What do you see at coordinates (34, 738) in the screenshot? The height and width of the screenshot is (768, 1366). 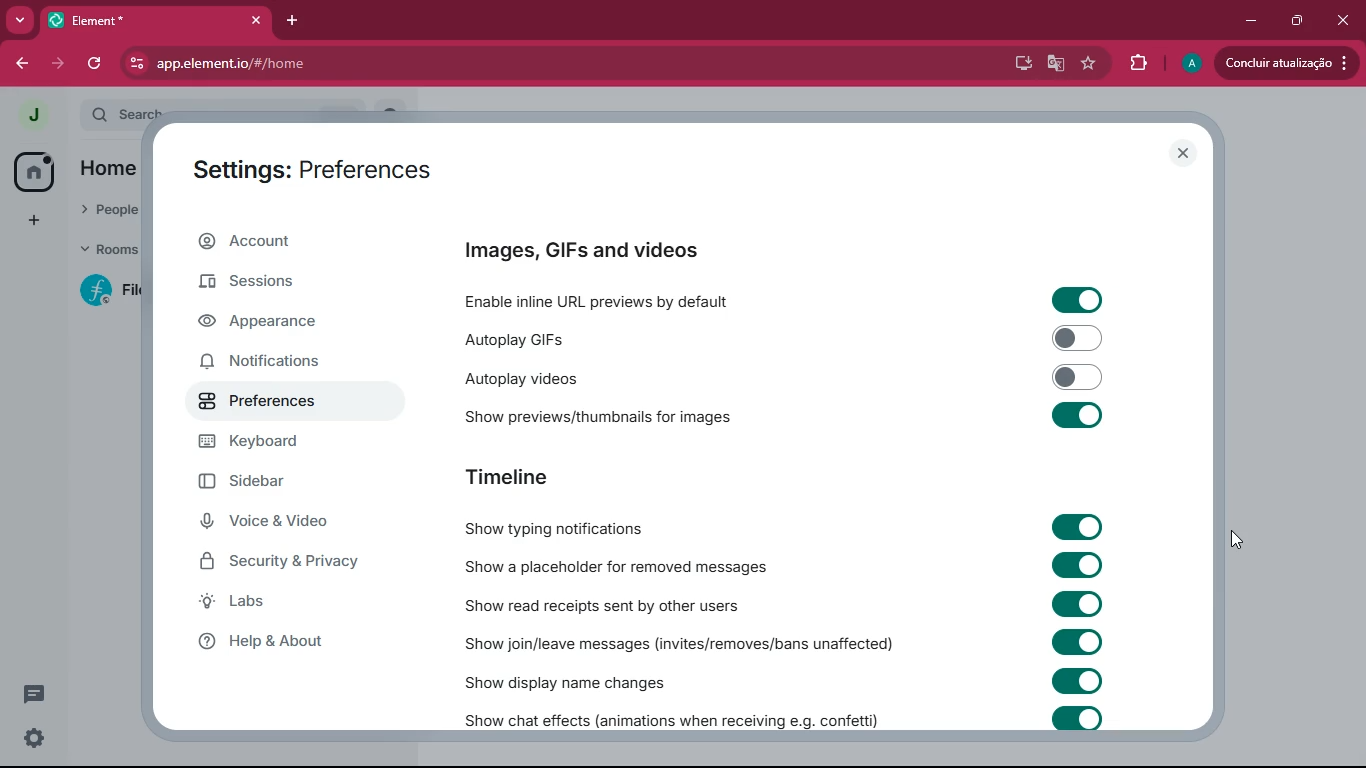 I see `quick settings` at bounding box center [34, 738].